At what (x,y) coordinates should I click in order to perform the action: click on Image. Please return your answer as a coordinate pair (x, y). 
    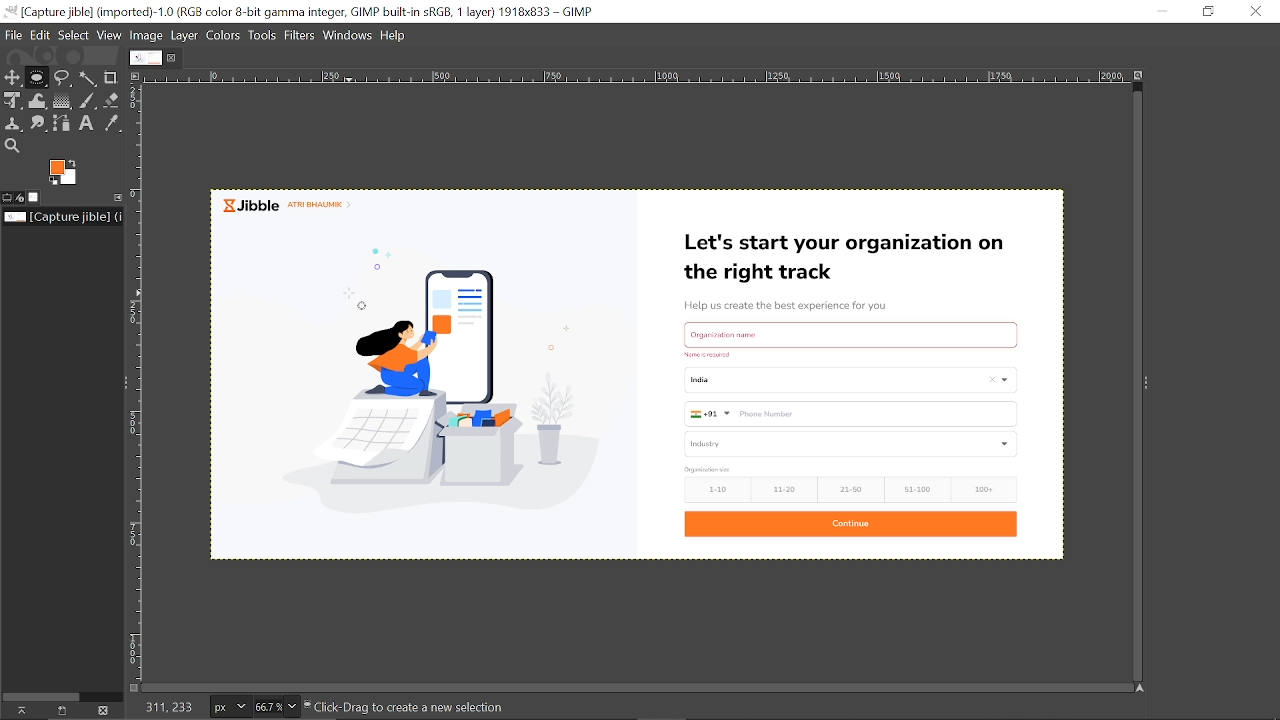
    Looking at the image, I should click on (150, 34).